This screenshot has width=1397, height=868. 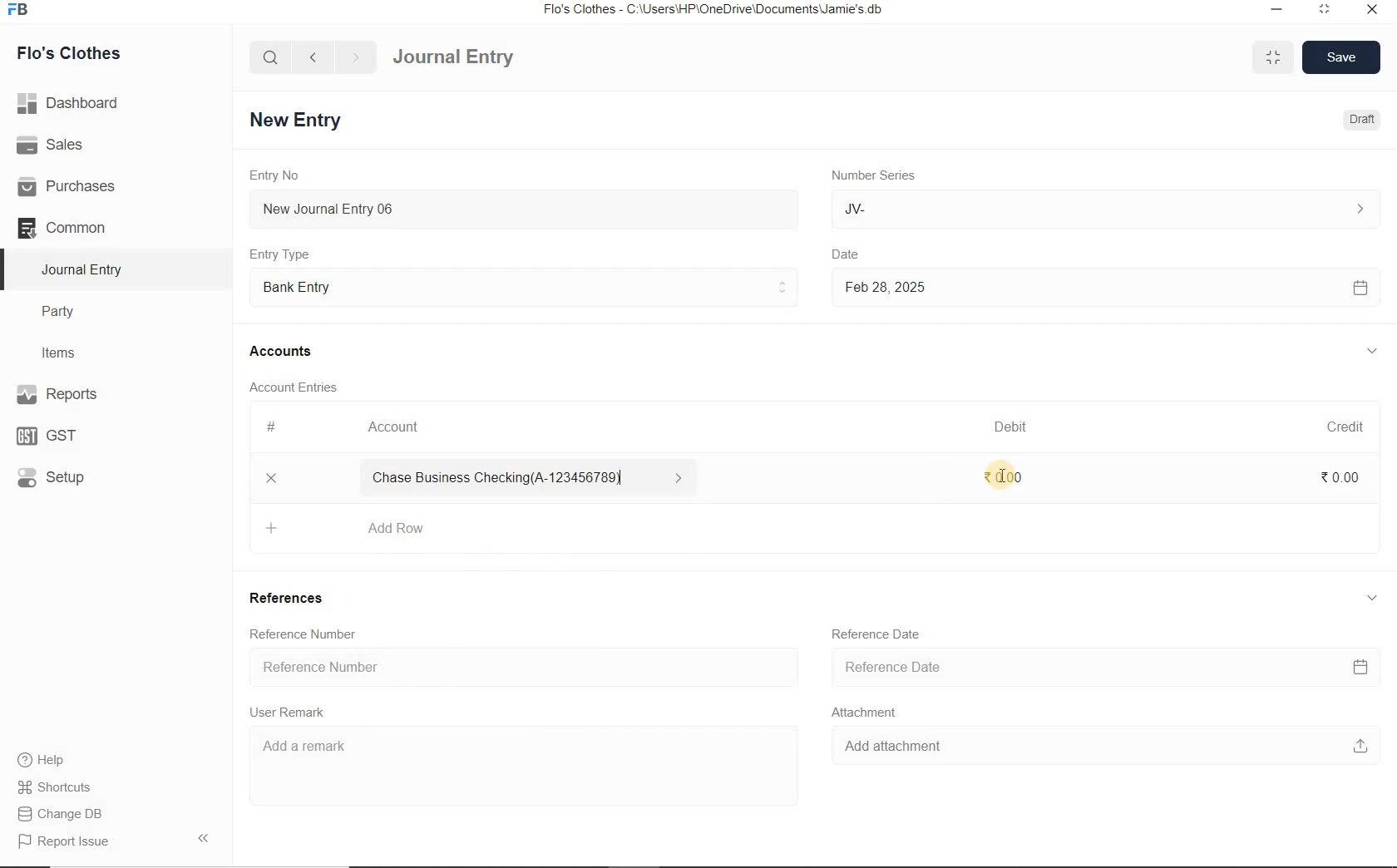 What do you see at coordinates (1012, 427) in the screenshot?
I see `Debit` at bounding box center [1012, 427].